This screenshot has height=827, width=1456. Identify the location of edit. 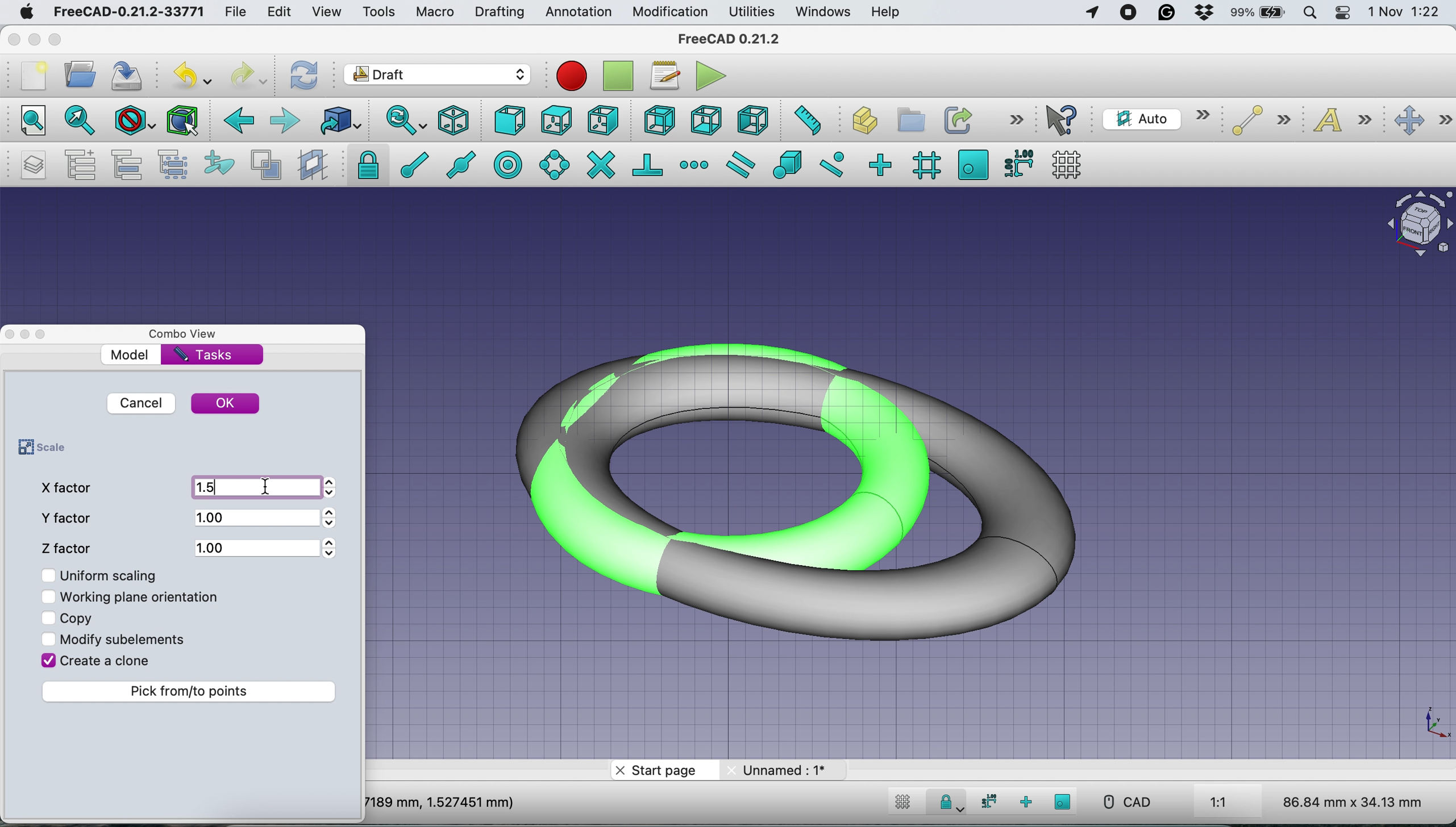
(281, 12).